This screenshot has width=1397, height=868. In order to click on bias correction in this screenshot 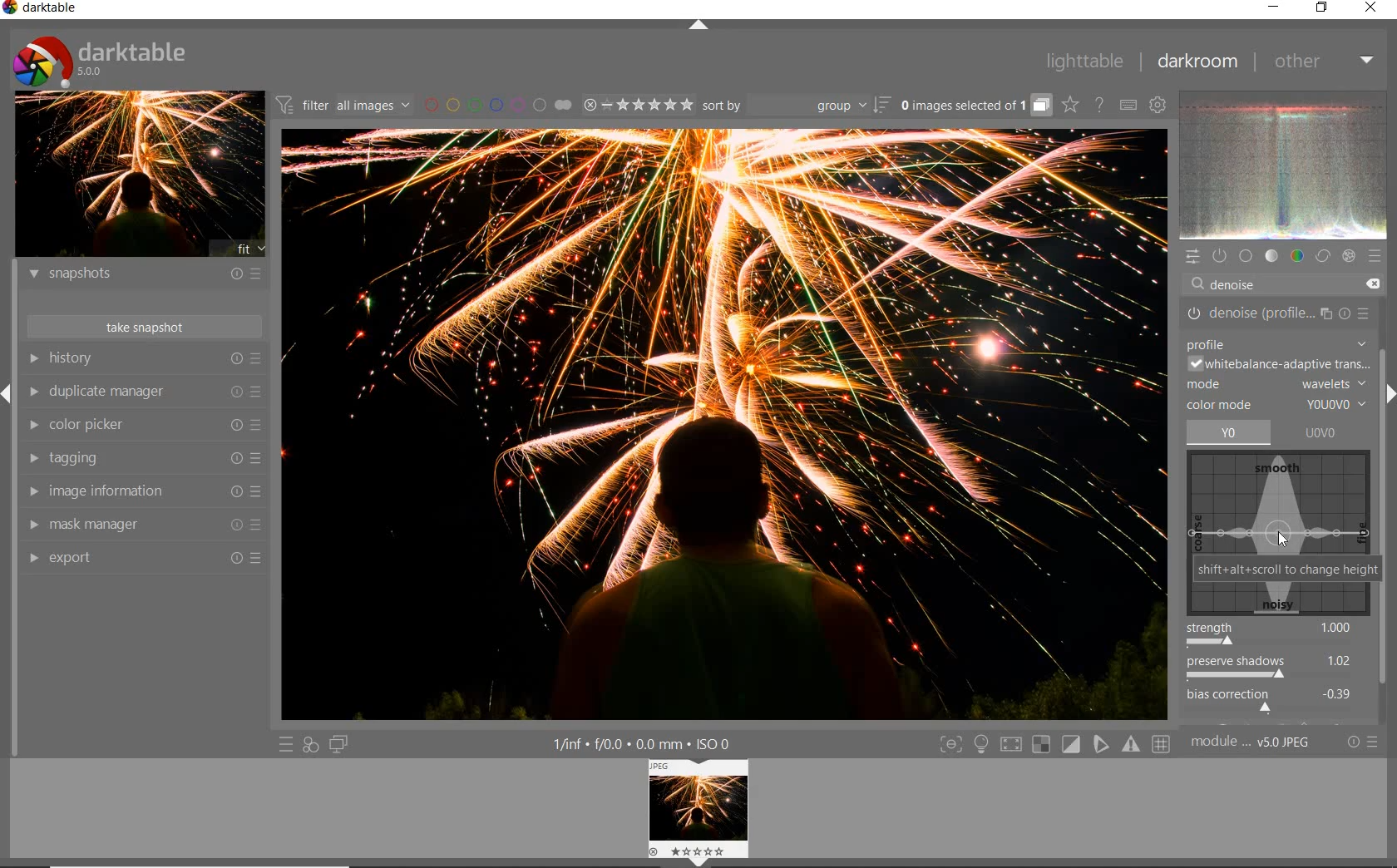, I will do `click(1275, 703)`.